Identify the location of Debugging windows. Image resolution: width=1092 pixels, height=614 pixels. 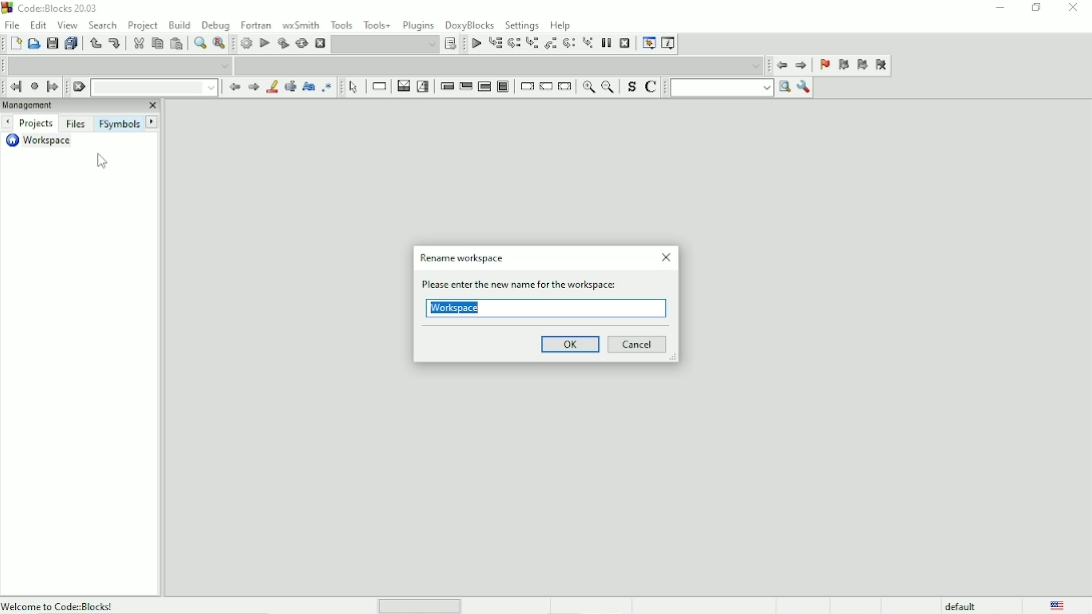
(647, 45).